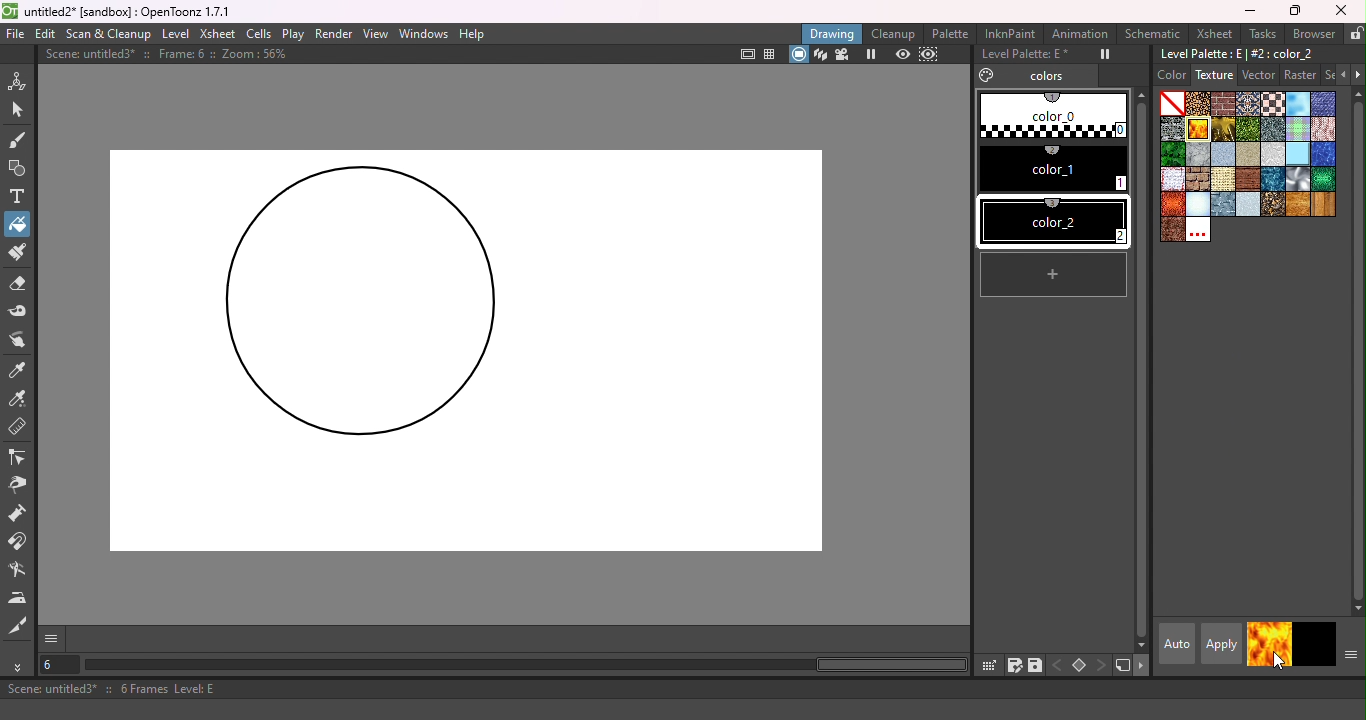 This screenshot has height=720, width=1366. Describe the element at coordinates (1324, 205) in the screenshot. I see `woodplanks.bmp` at that location.